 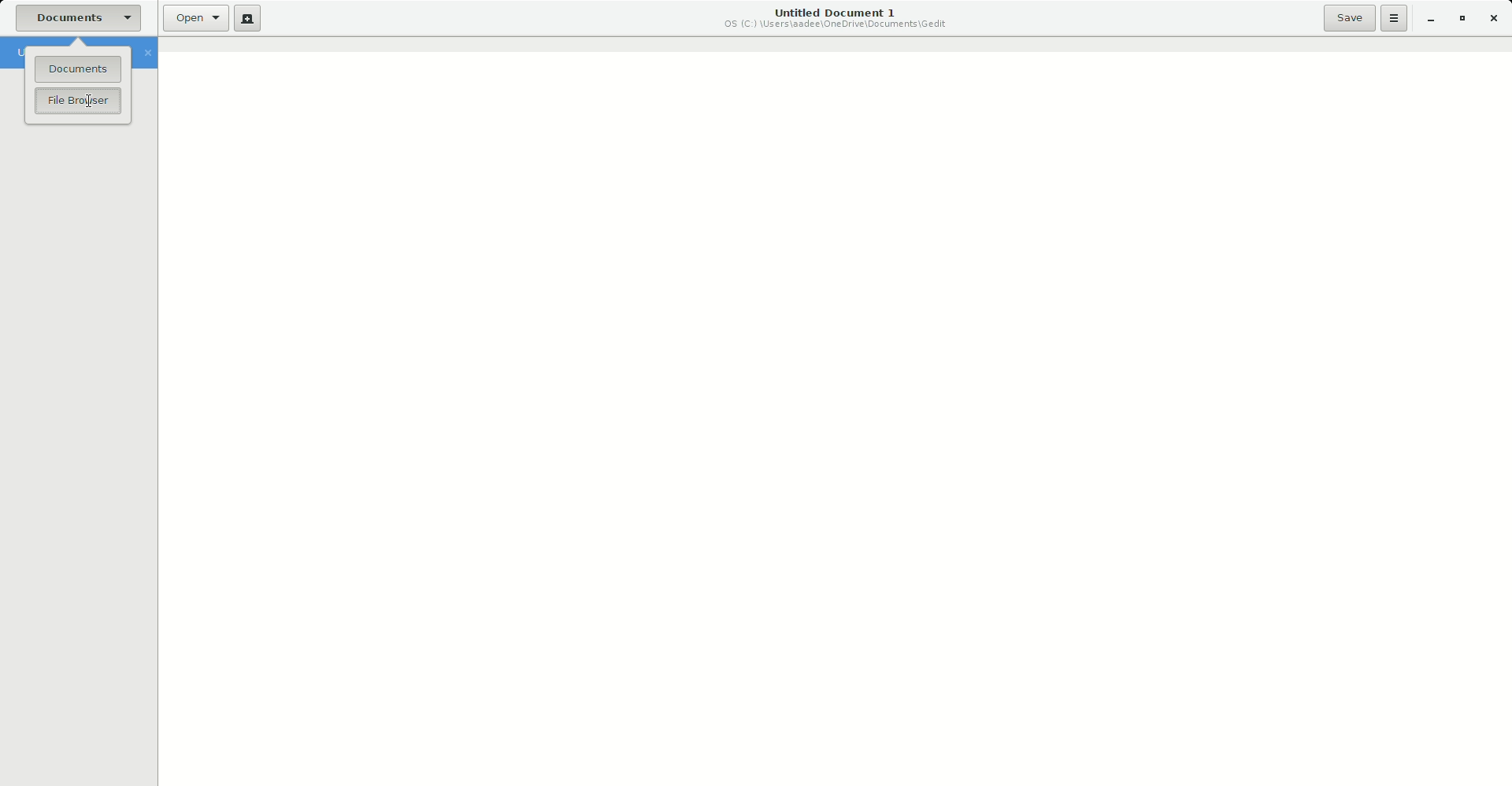 I want to click on Documents, so click(x=79, y=67).